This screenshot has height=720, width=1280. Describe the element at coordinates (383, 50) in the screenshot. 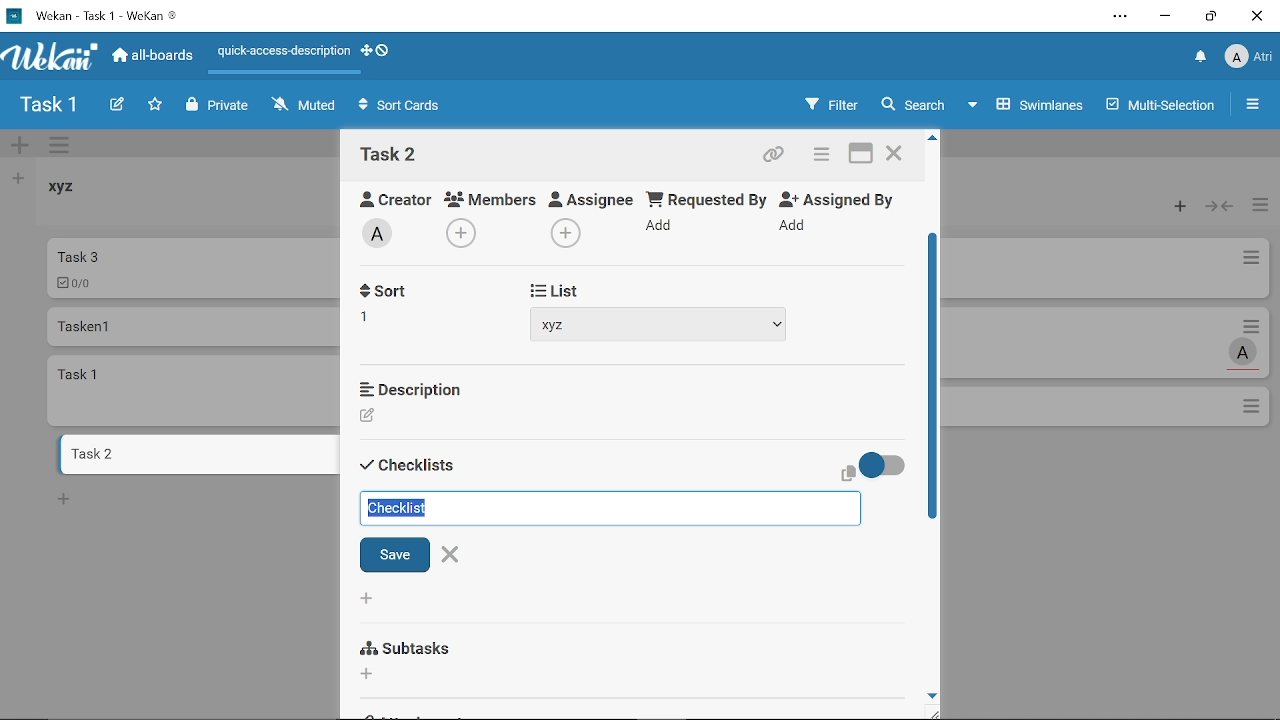

I see `Show desktop drag handlws` at that location.